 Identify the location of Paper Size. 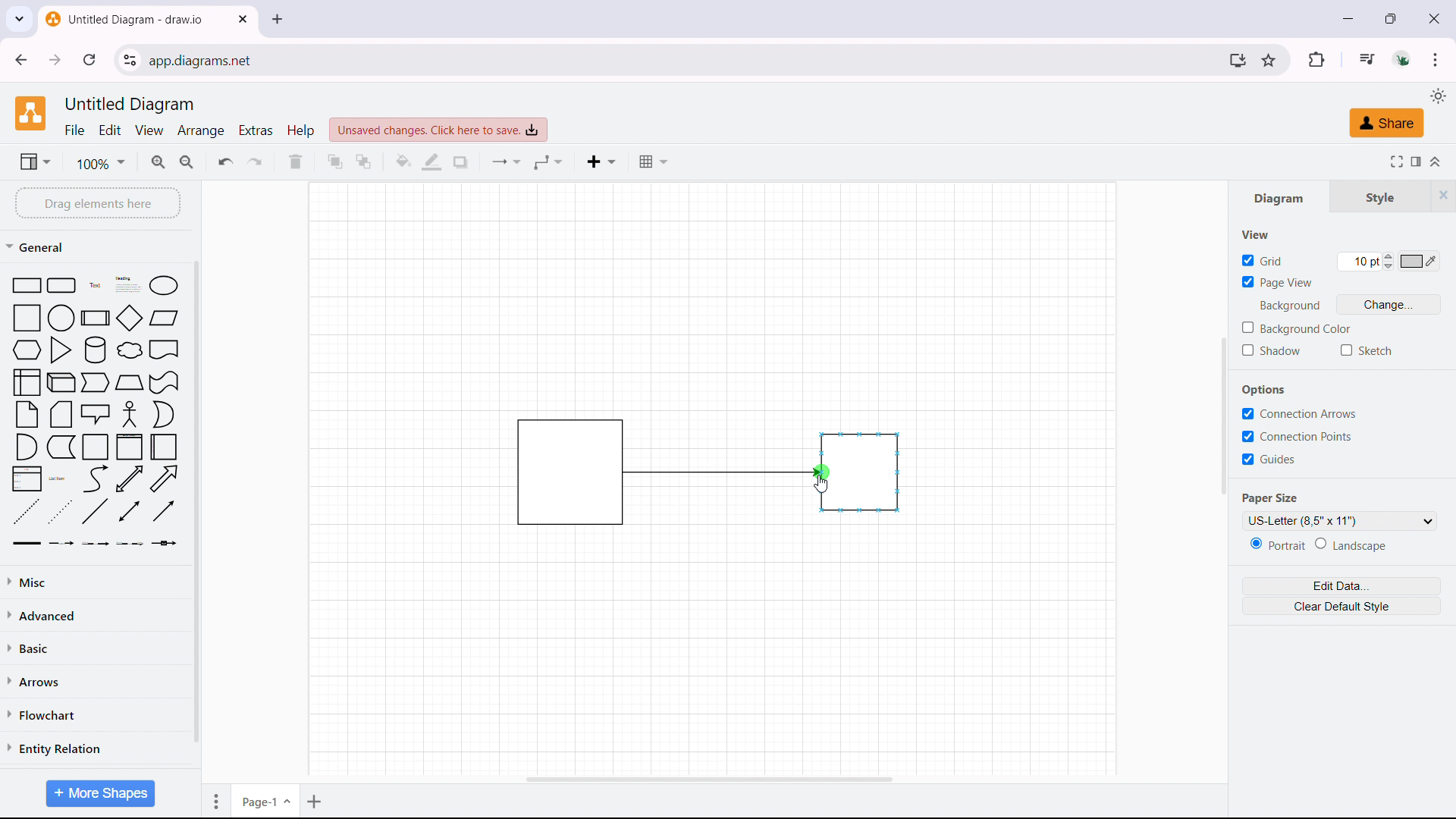
(1278, 499).